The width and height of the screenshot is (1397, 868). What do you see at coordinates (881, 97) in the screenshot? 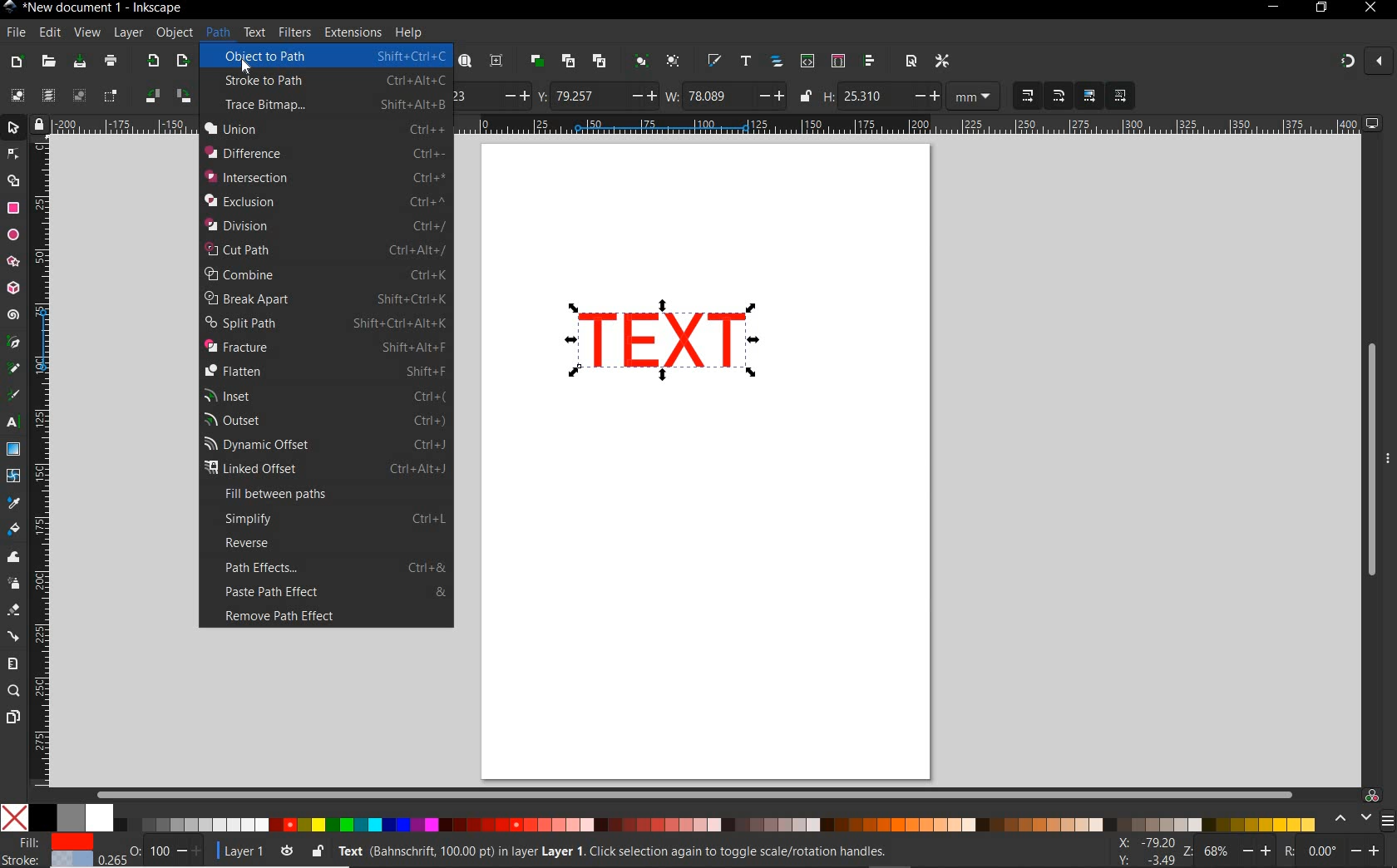
I see `HEIGHT OF SELECTION` at bounding box center [881, 97].